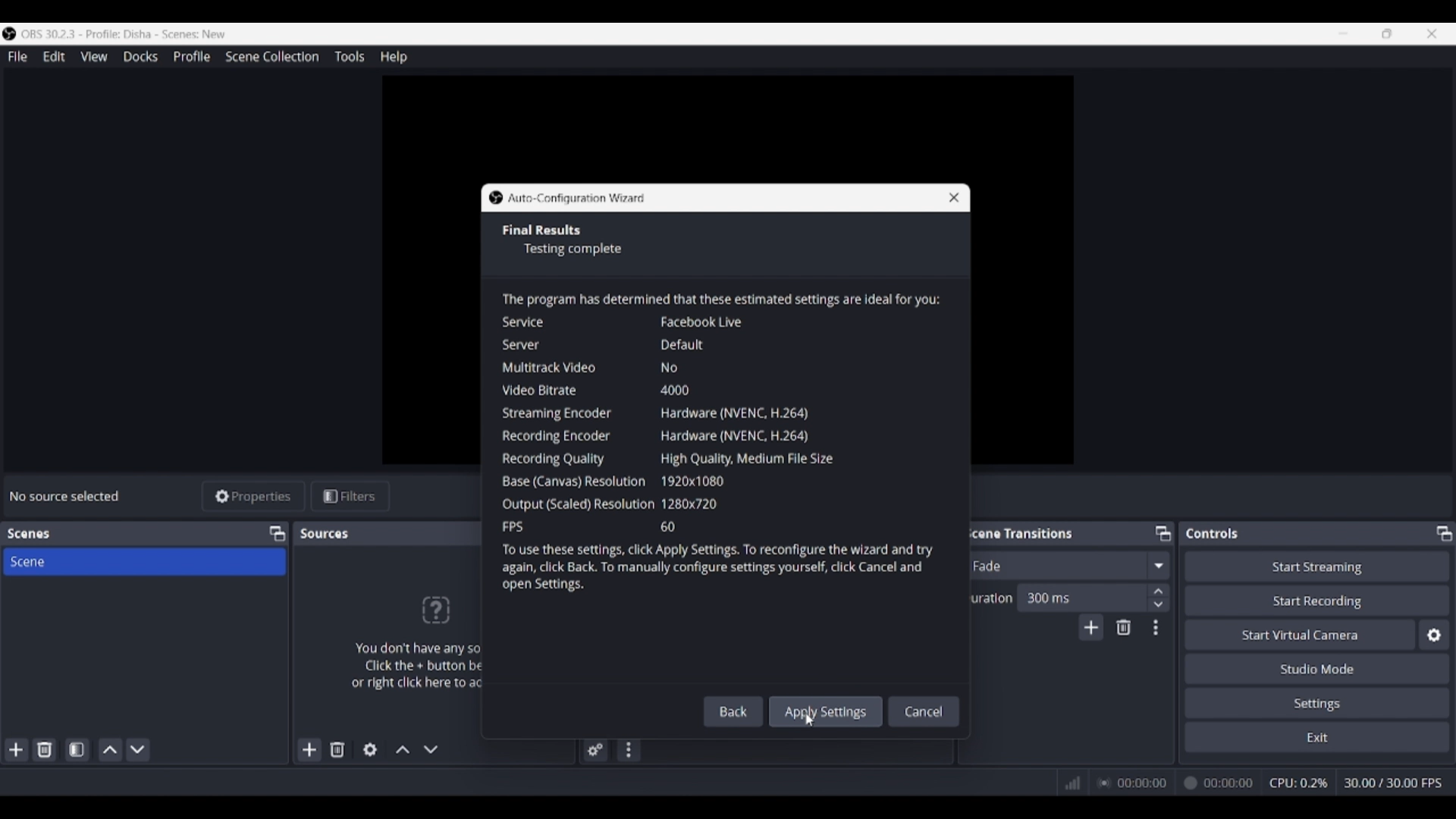  What do you see at coordinates (1053, 565) in the screenshot?
I see `Current fade` at bounding box center [1053, 565].